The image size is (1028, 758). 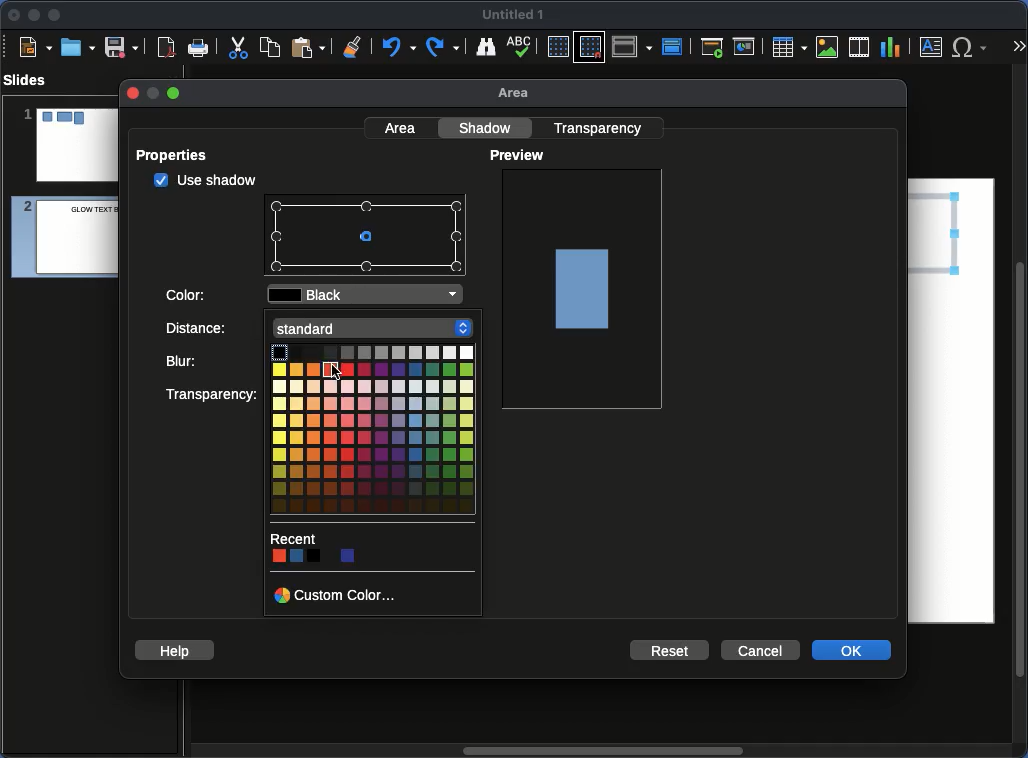 I want to click on Save, so click(x=123, y=46).